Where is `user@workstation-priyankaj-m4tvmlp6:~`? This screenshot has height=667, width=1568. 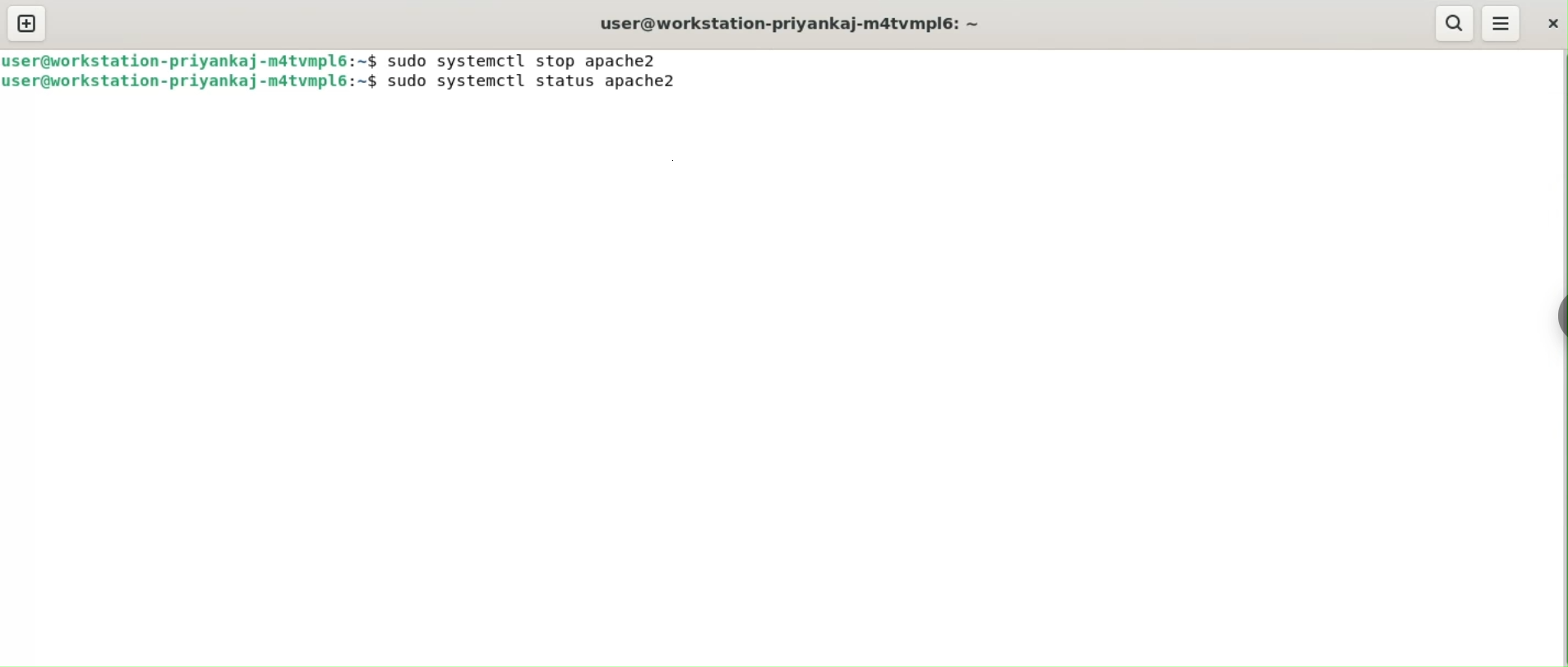 user@workstation-priyankaj-m4tvmlp6:~ is located at coordinates (792, 23).